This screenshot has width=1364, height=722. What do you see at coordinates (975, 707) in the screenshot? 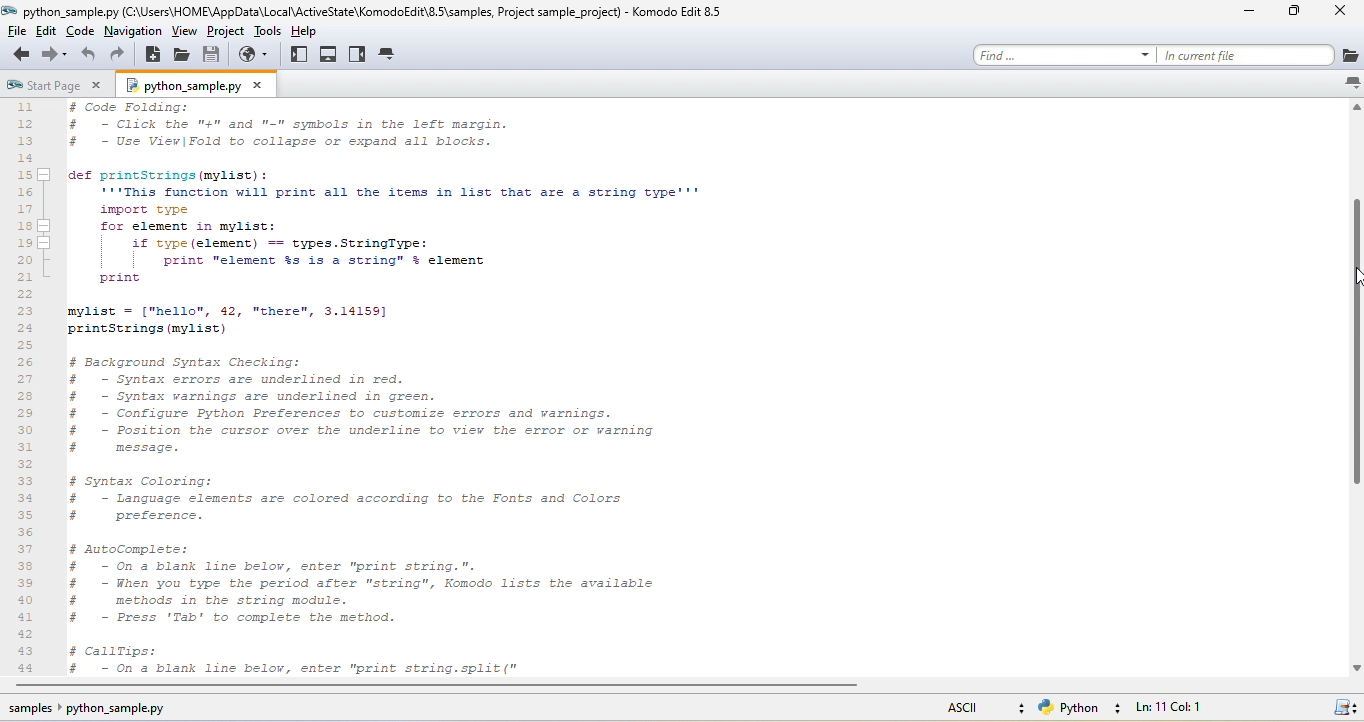
I see `ascii` at bounding box center [975, 707].